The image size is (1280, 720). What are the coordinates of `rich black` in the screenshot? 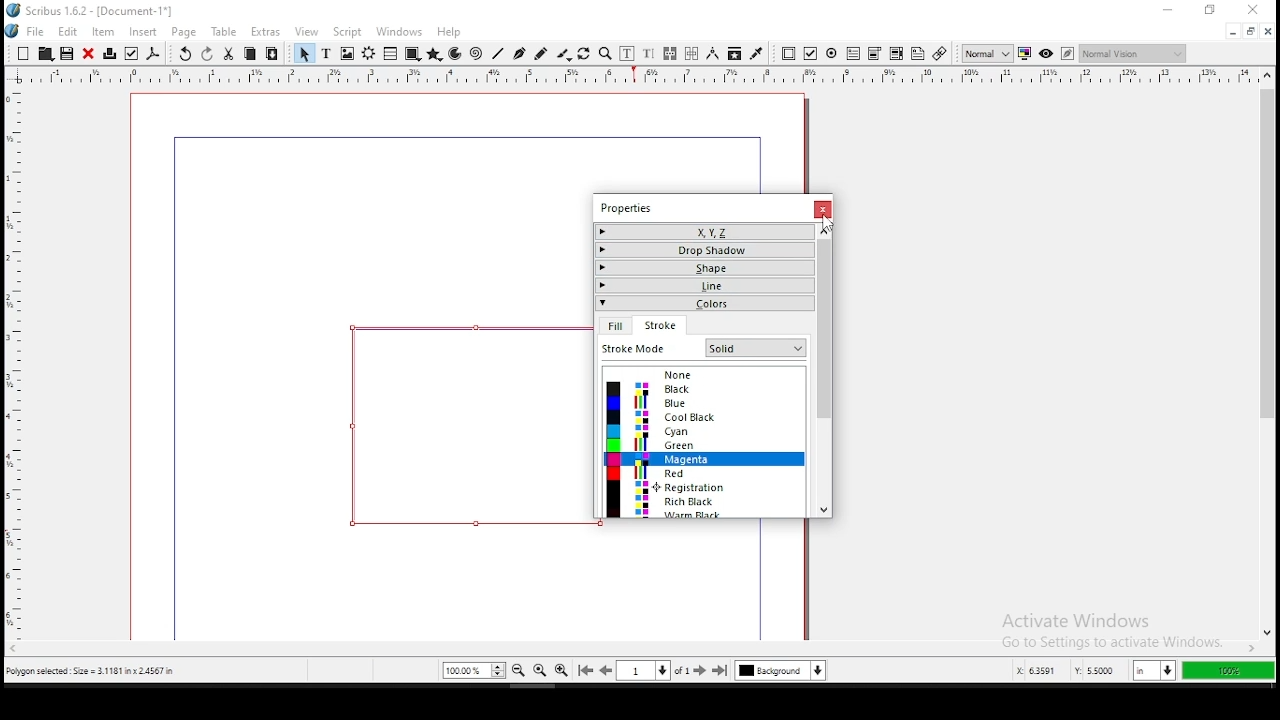 It's located at (705, 501).